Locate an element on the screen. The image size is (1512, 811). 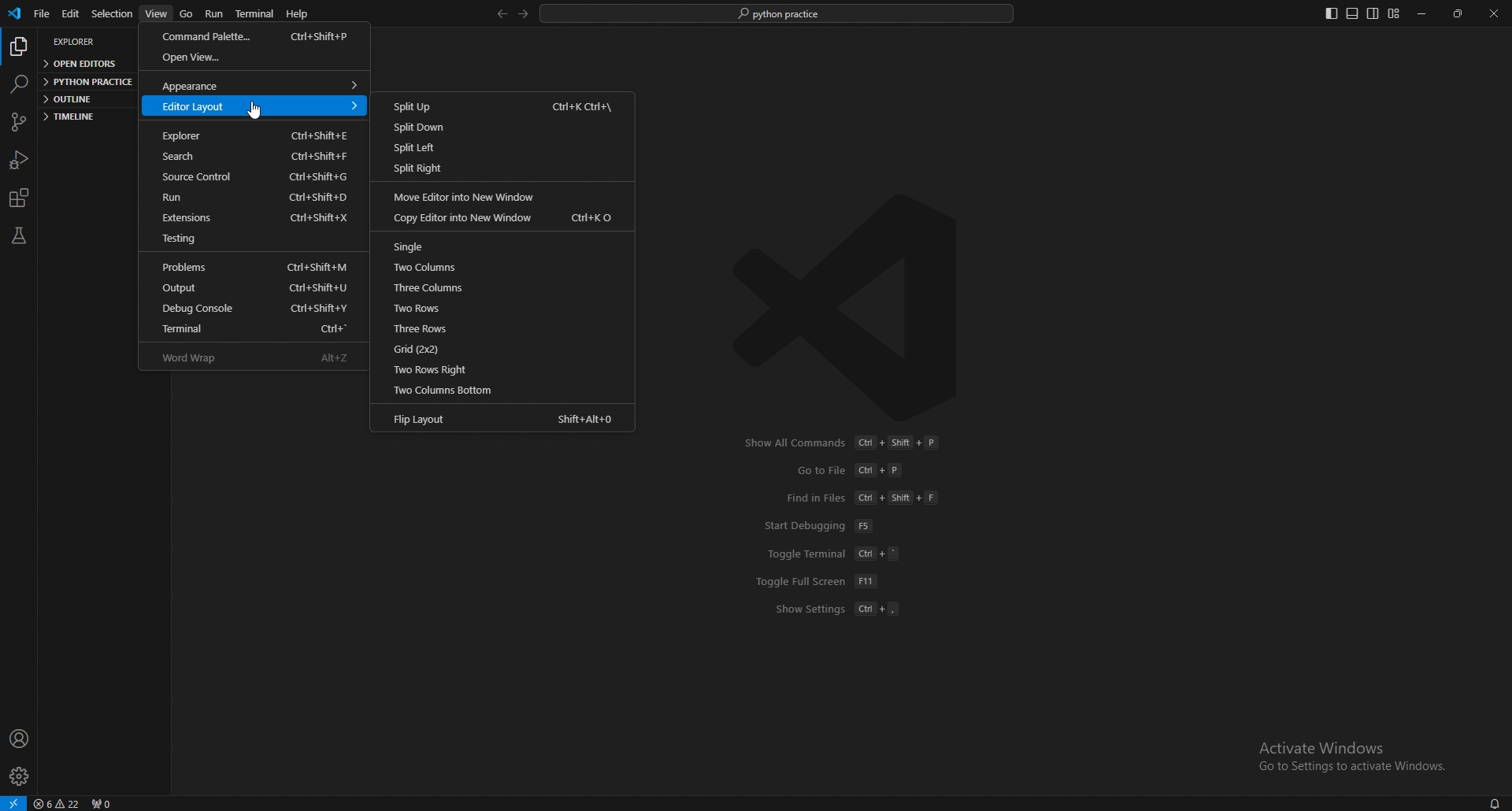
grid (2*2) is located at coordinates (496, 350).